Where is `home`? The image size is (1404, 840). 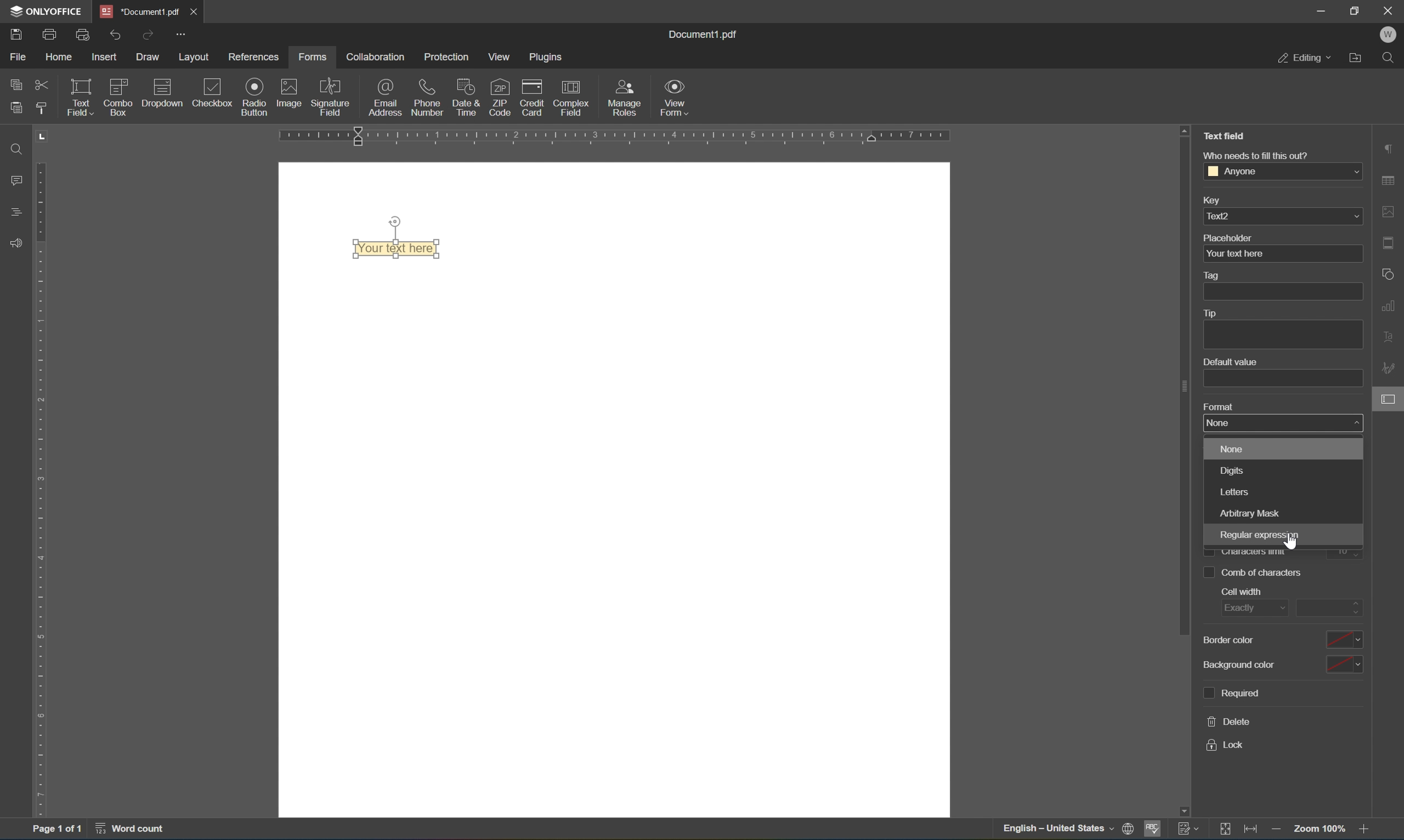 home is located at coordinates (60, 55).